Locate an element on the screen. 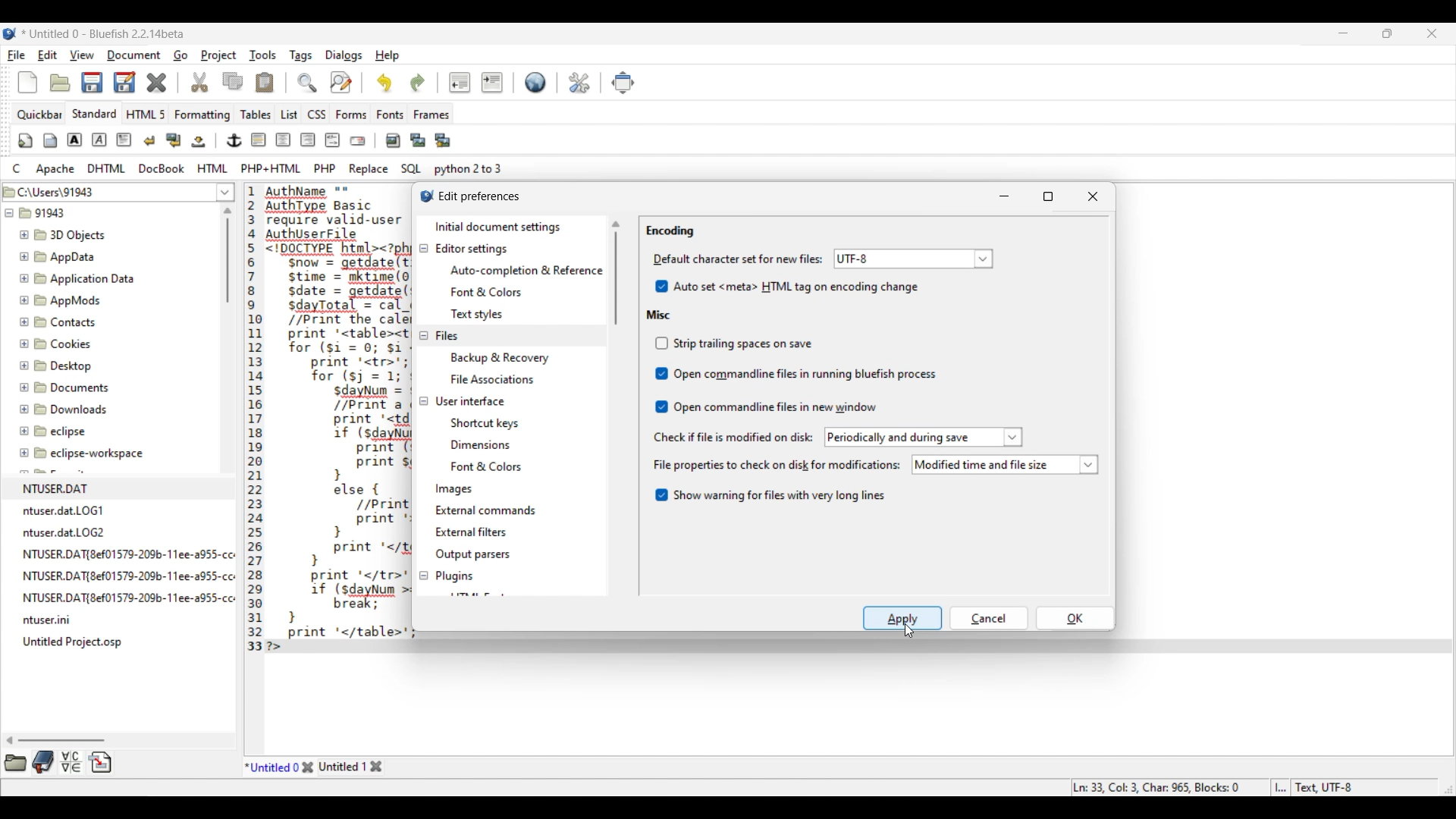  File explorer is located at coordinates (108, 419).